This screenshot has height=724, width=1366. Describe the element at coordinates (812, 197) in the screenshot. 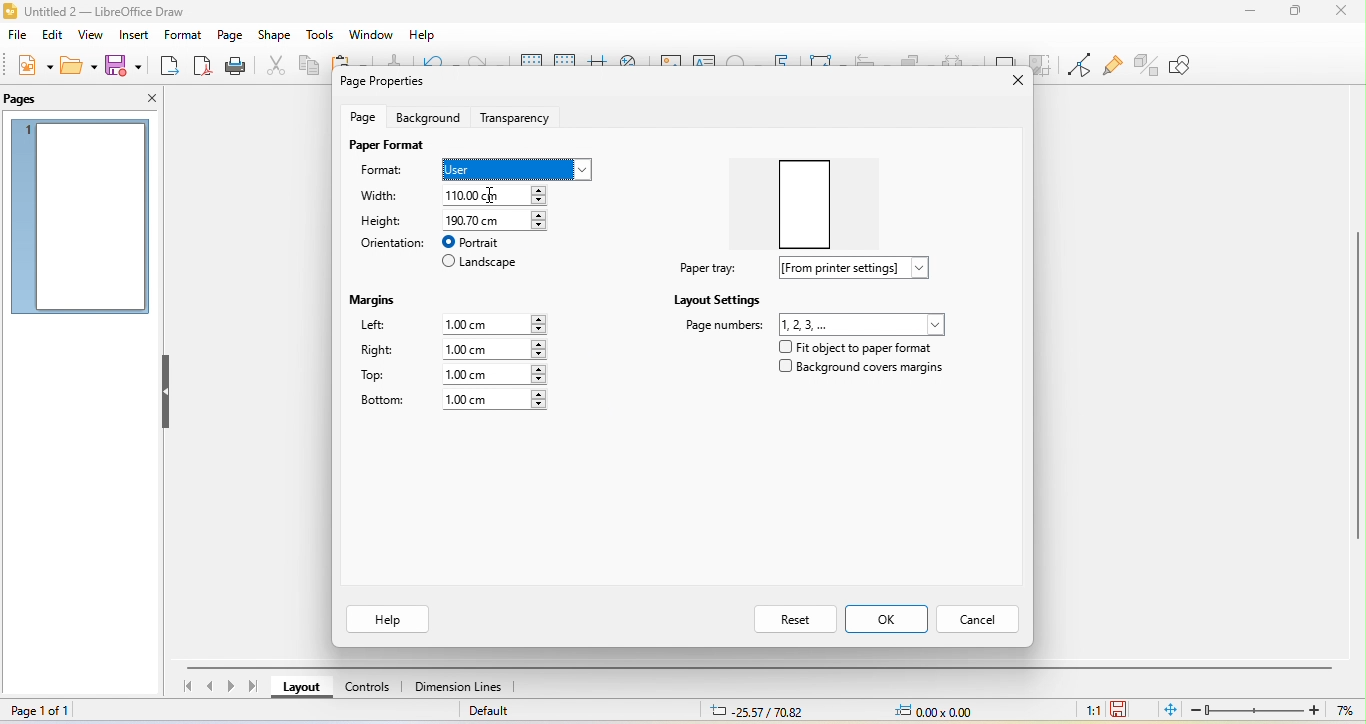

I see `paper` at that location.